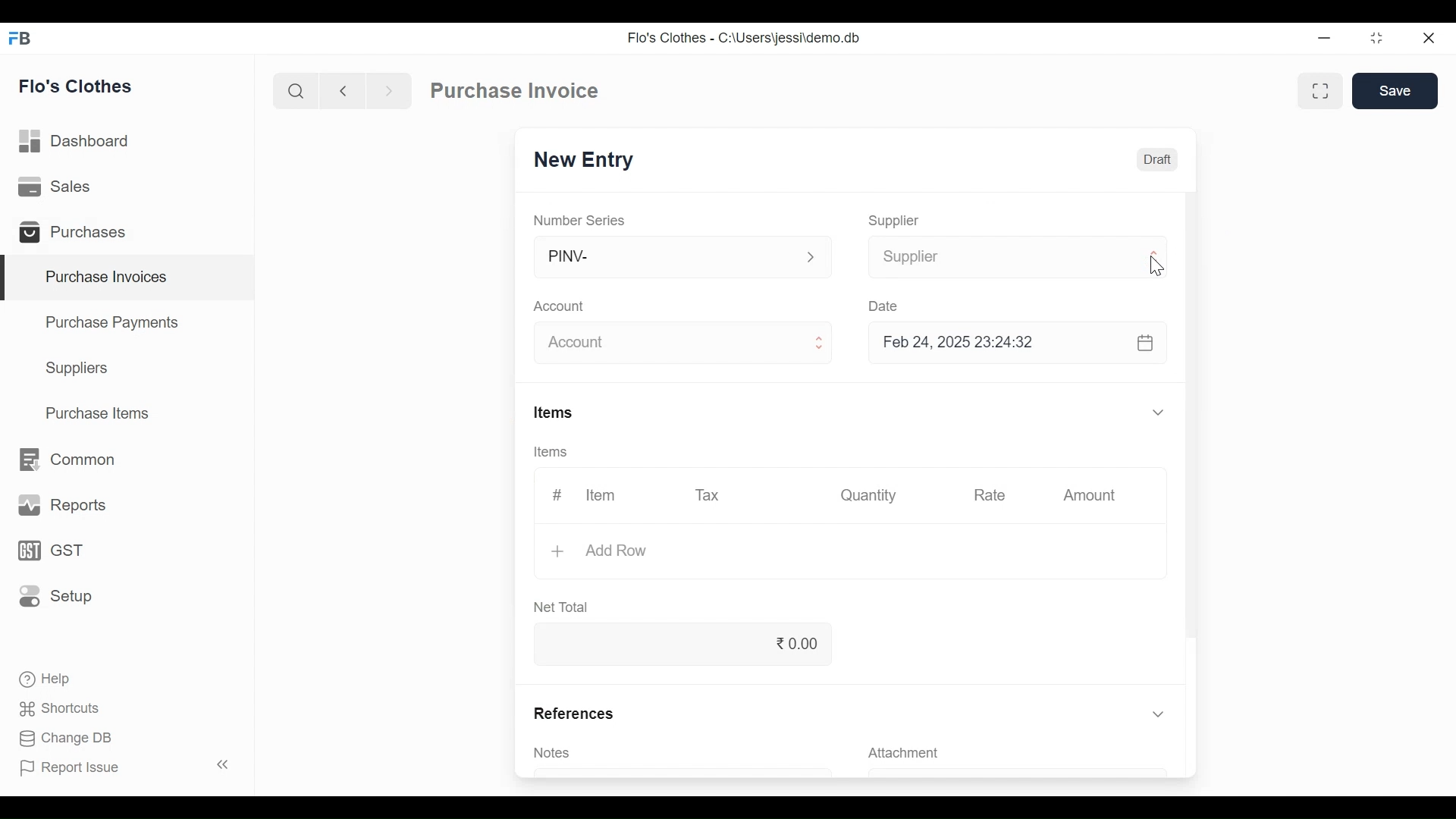 The height and width of the screenshot is (819, 1456). Describe the element at coordinates (565, 607) in the screenshot. I see `Net Total` at that location.